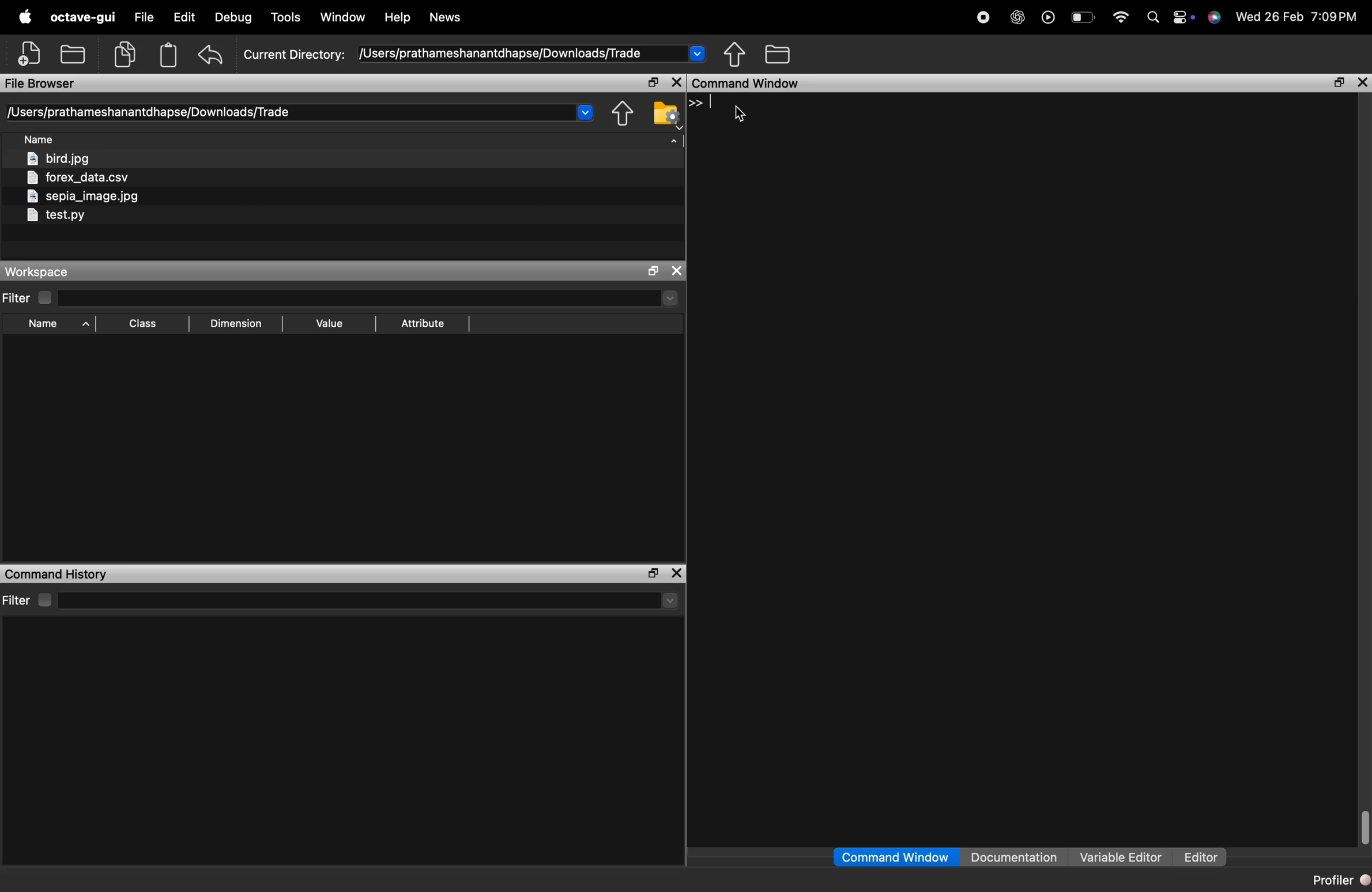 This screenshot has height=892, width=1372. I want to click on date and time, so click(1300, 19).